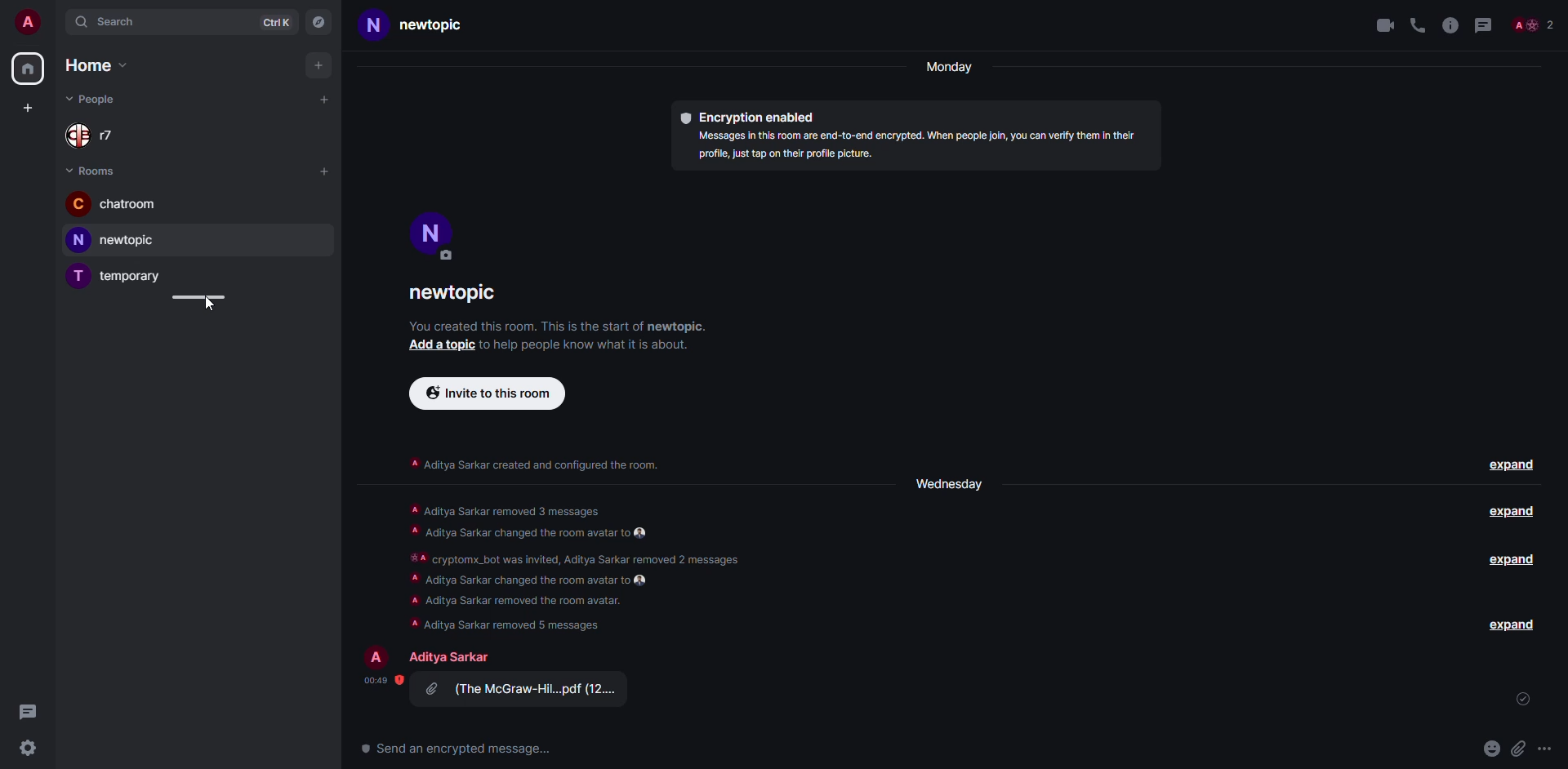  What do you see at coordinates (1545, 749) in the screenshot?
I see `more` at bounding box center [1545, 749].